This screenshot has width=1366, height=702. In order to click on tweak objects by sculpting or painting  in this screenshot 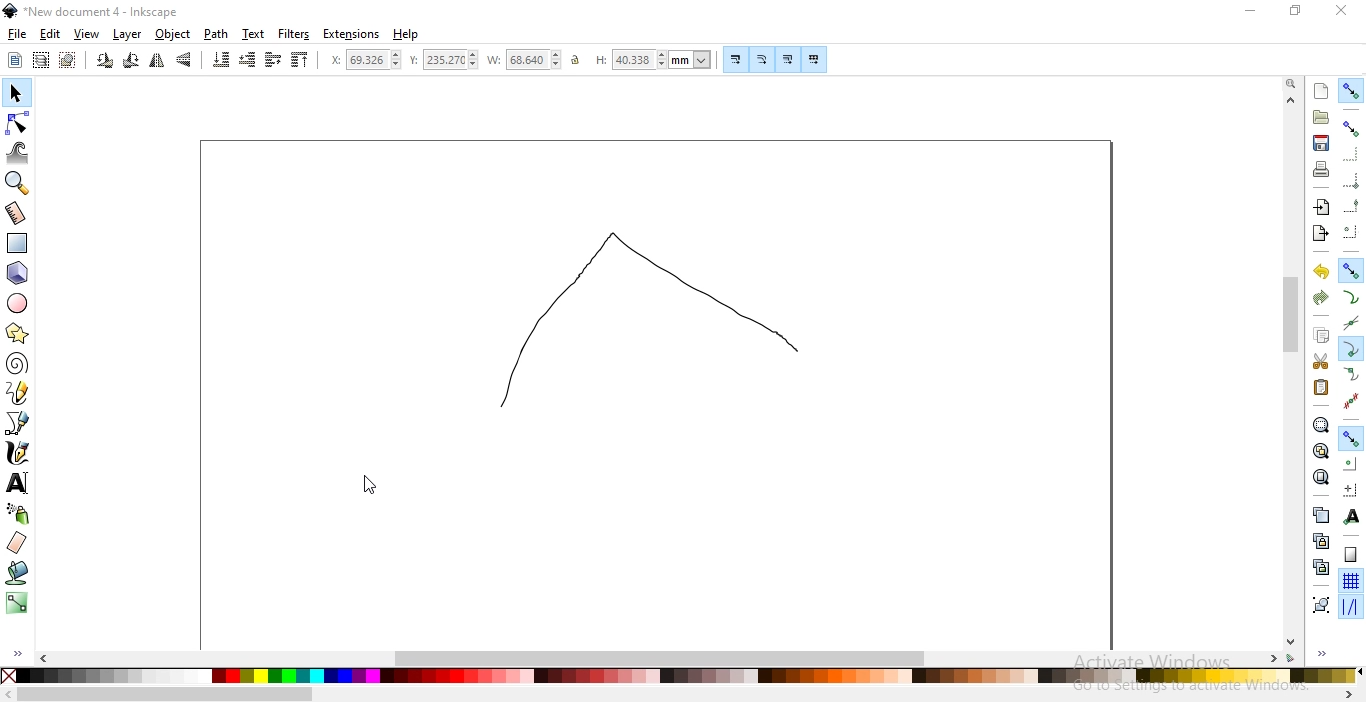, I will do `click(18, 153)`.